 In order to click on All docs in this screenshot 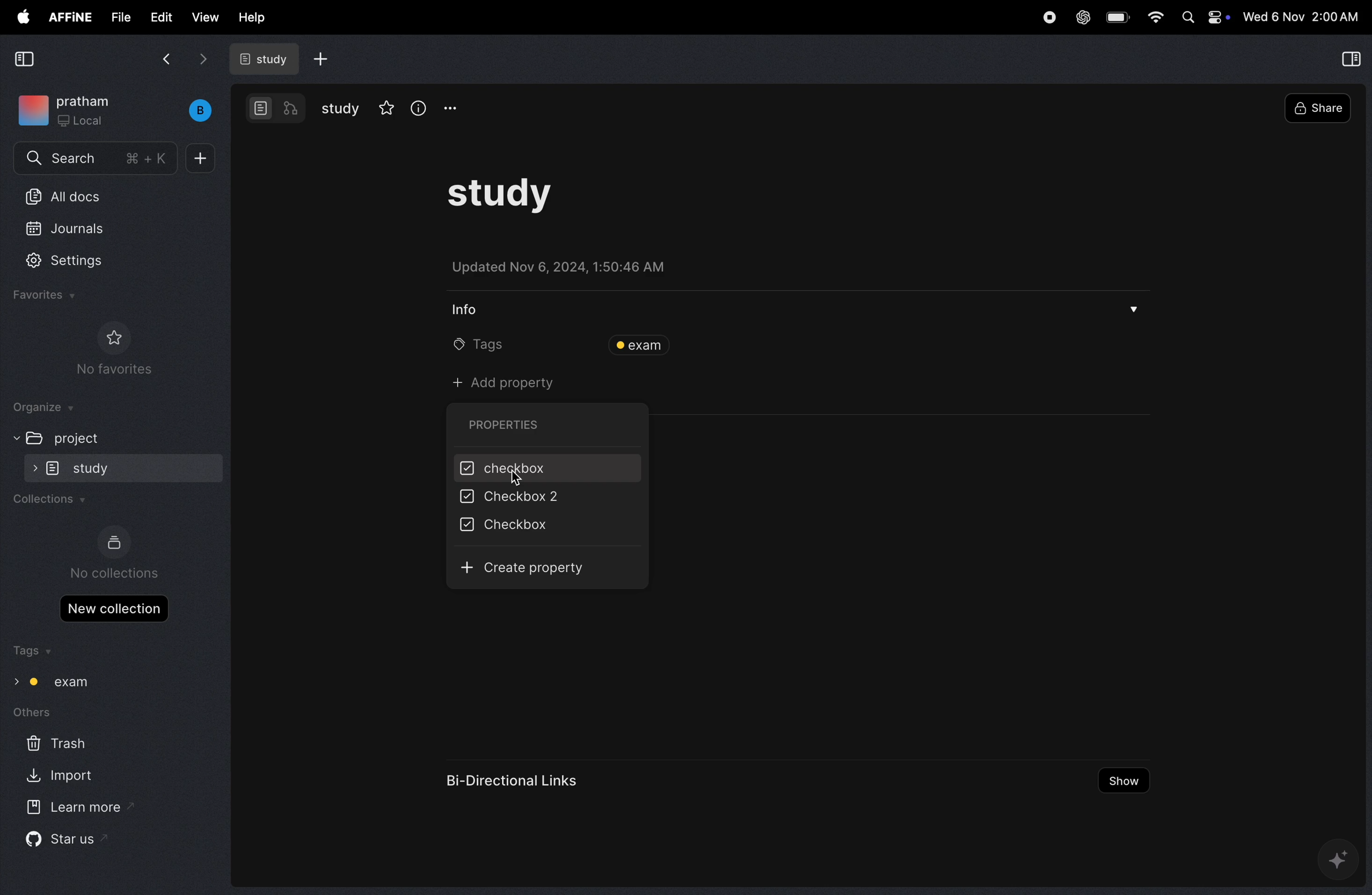, I will do `click(78, 197)`.